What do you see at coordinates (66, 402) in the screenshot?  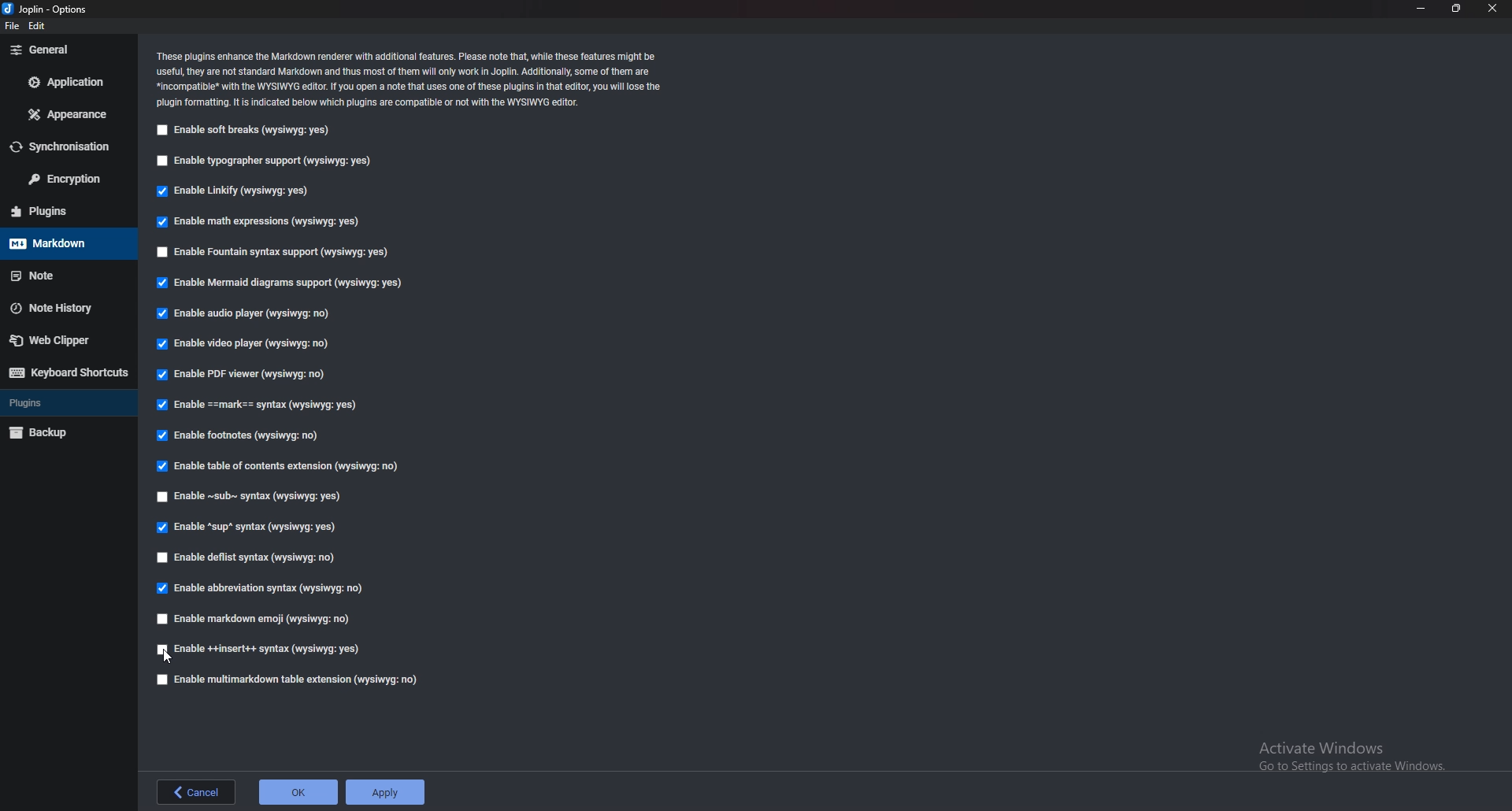 I see `plugins` at bounding box center [66, 402].